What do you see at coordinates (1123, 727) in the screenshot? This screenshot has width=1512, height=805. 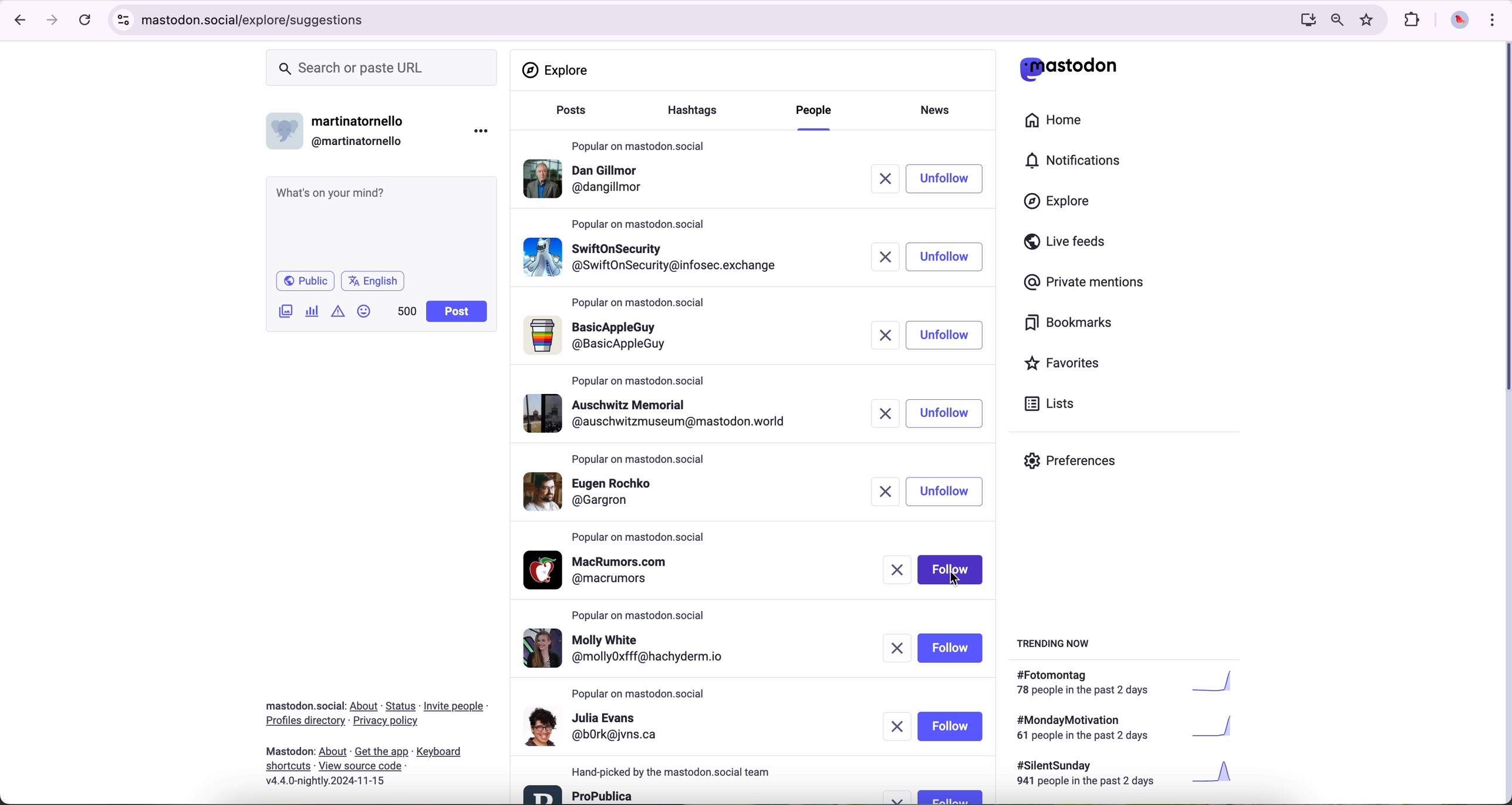 I see `#mondaymotivation` at bounding box center [1123, 727].